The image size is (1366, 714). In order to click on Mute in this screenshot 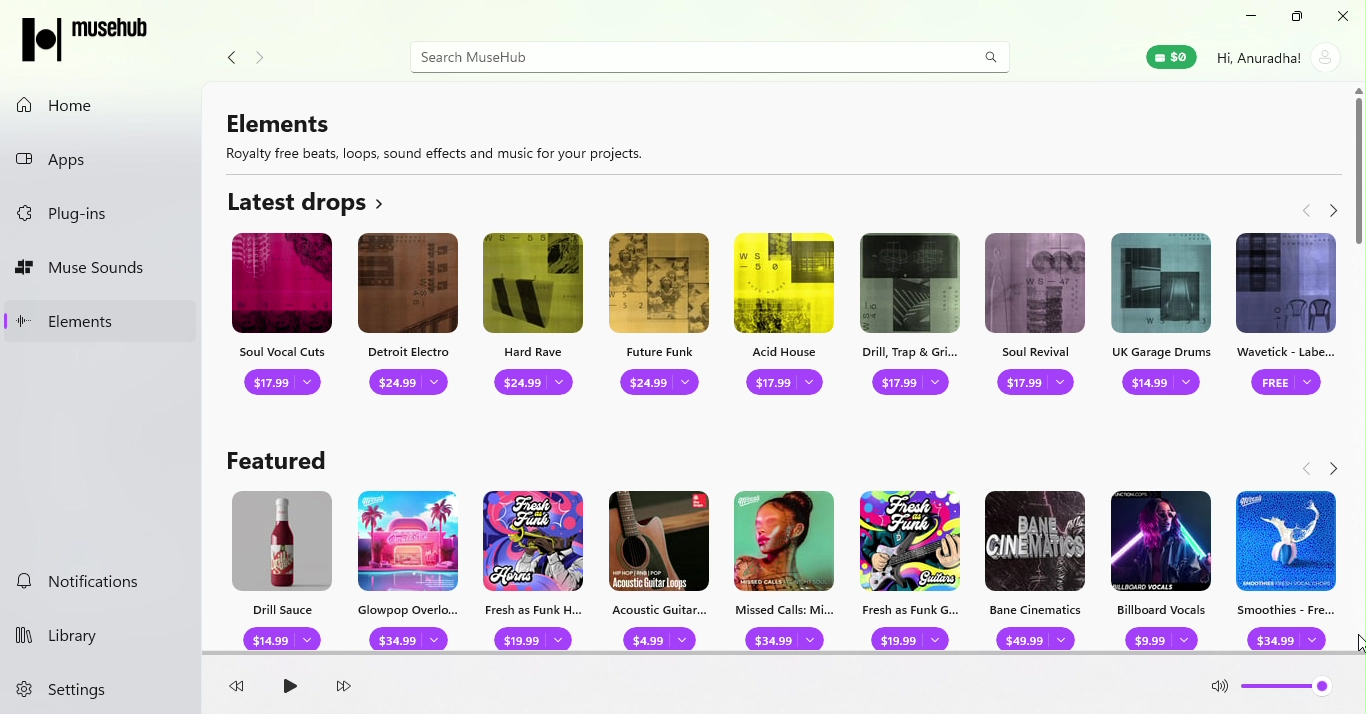, I will do `click(1220, 690)`.